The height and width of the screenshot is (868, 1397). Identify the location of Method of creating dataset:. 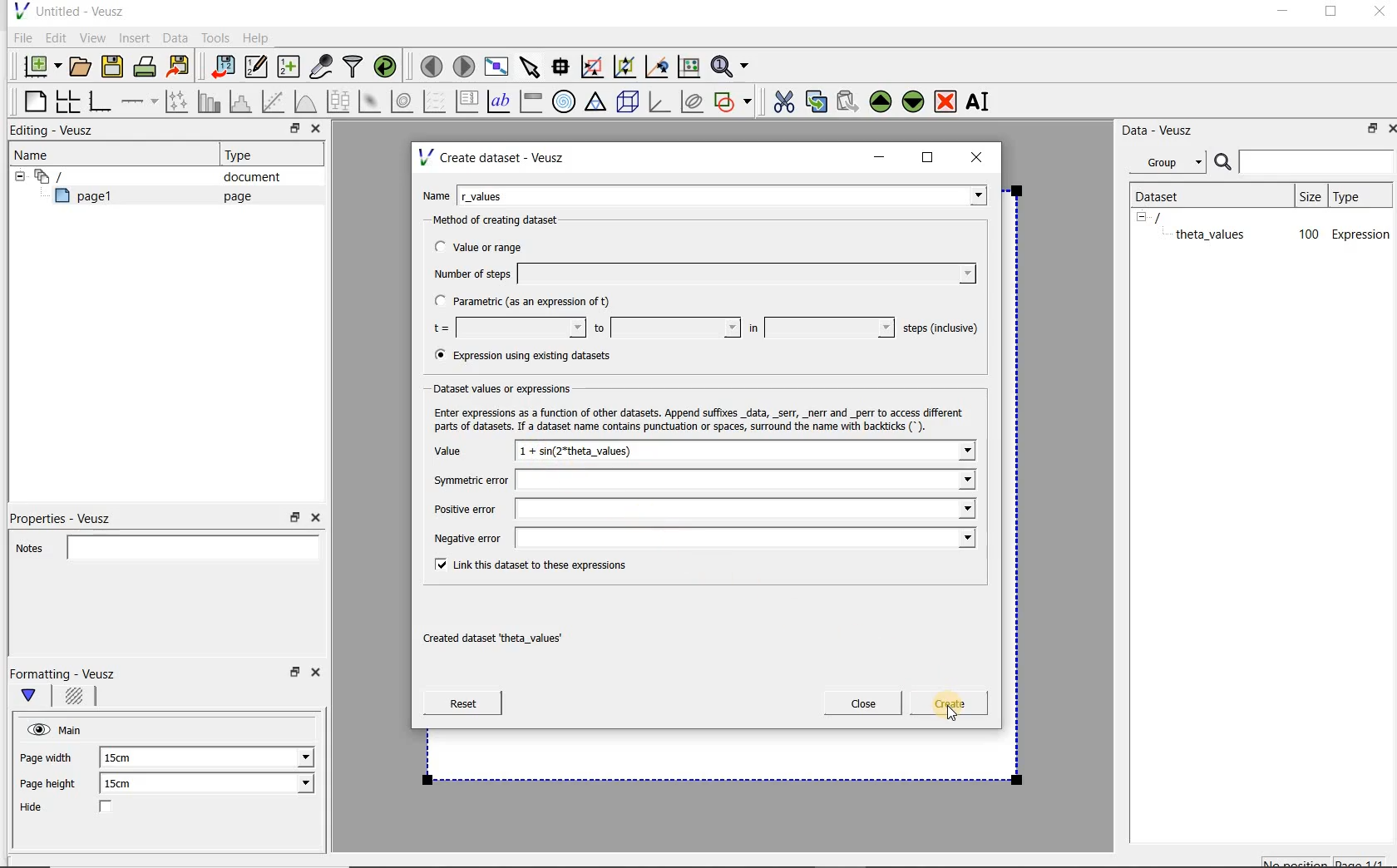
(508, 220).